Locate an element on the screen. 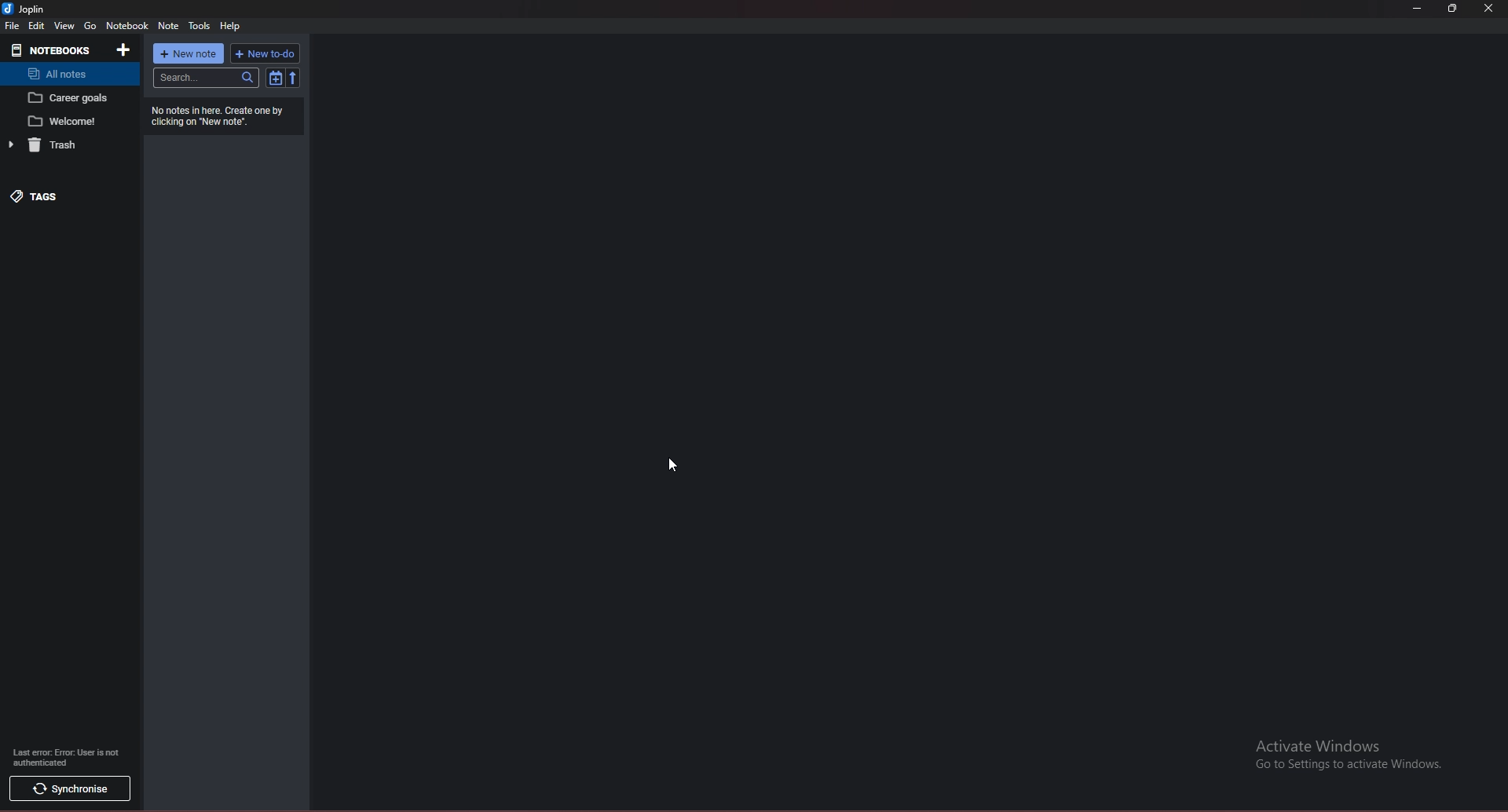 Image resolution: width=1508 pixels, height=812 pixels. add notebook is located at coordinates (125, 50).